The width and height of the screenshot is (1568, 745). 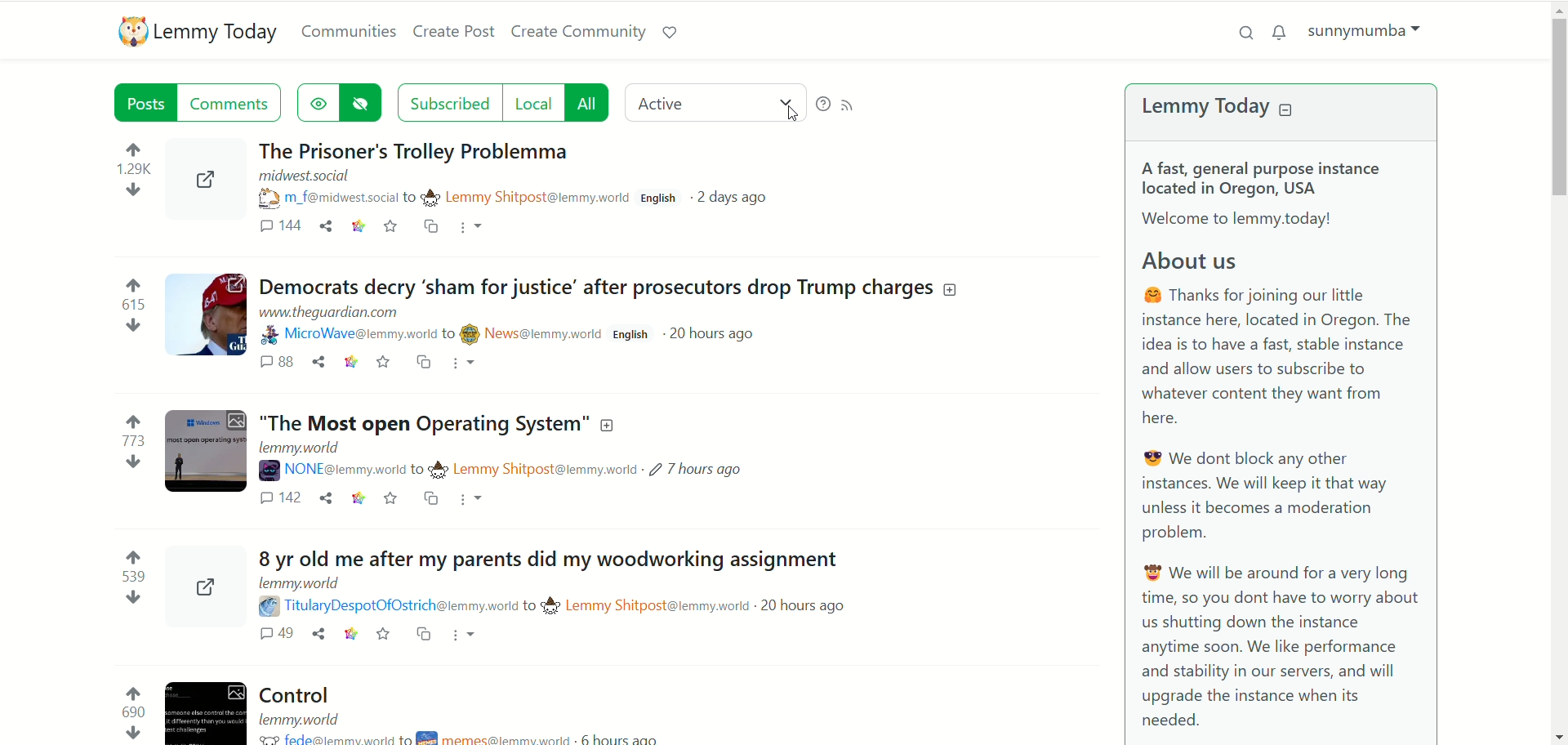 What do you see at coordinates (640, 736) in the screenshot?
I see `6 hours ago` at bounding box center [640, 736].